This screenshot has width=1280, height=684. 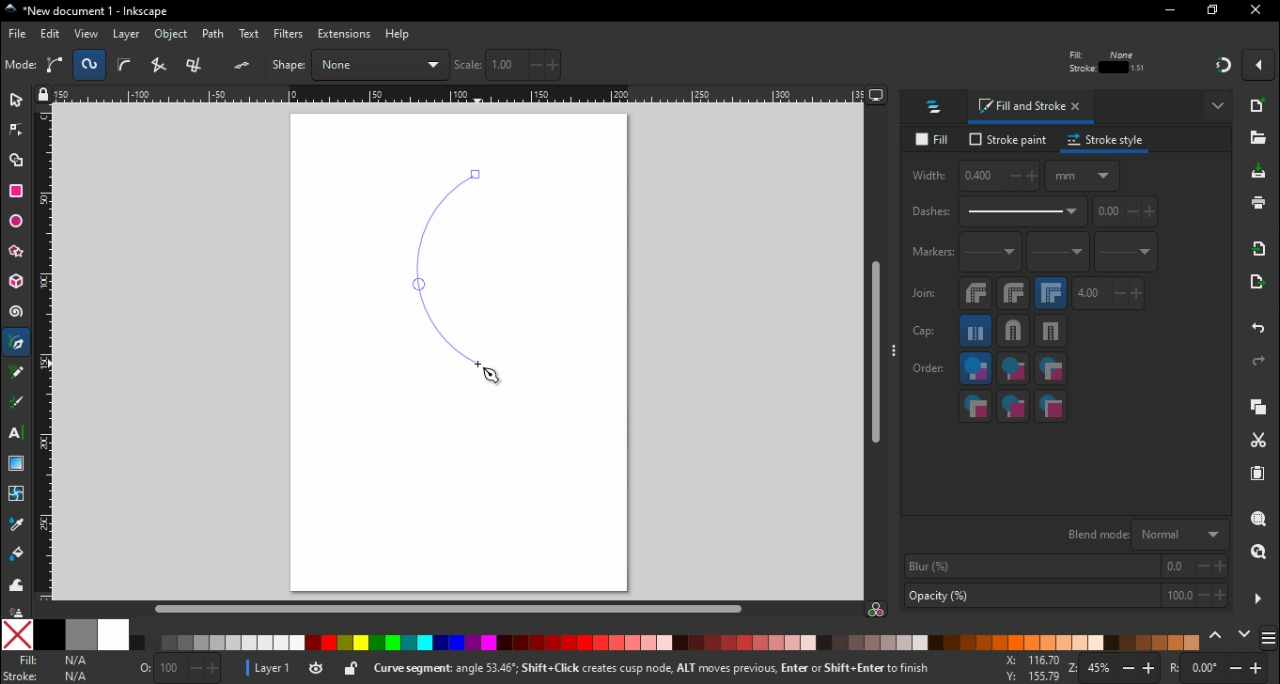 What do you see at coordinates (17, 104) in the screenshot?
I see `selector tool` at bounding box center [17, 104].